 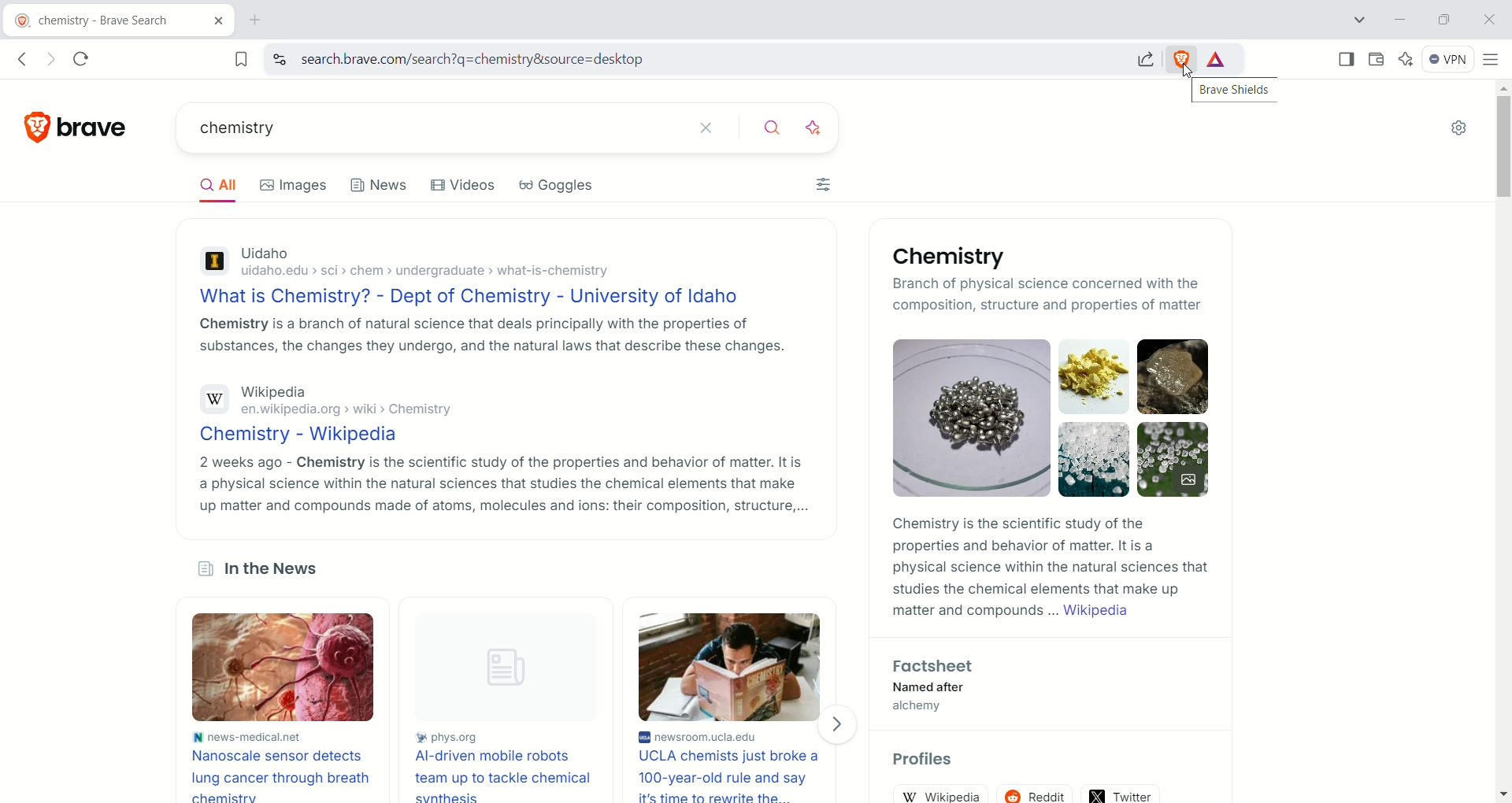 What do you see at coordinates (27, 58) in the screenshot?
I see `click to go back, hold to see history` at bounding box center [27, 58].